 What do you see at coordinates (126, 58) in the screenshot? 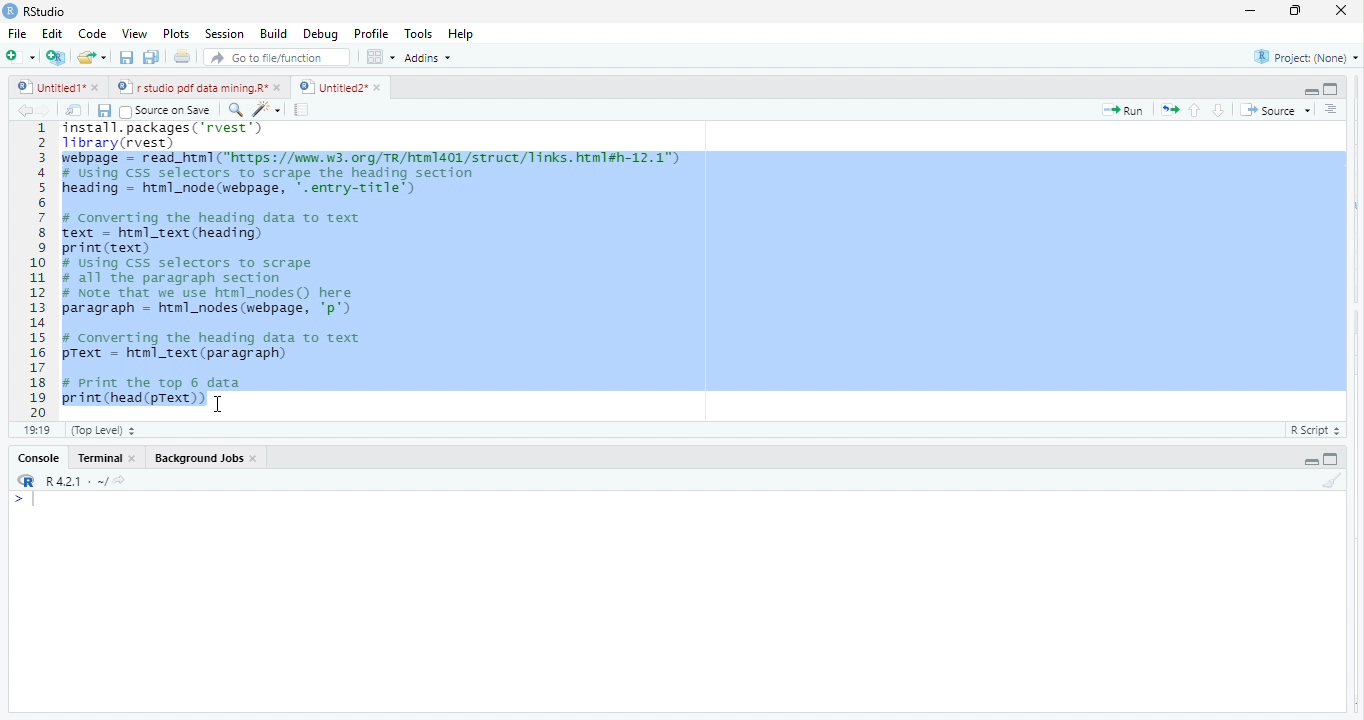
I see `save current document` at bounding box center [126, 58].